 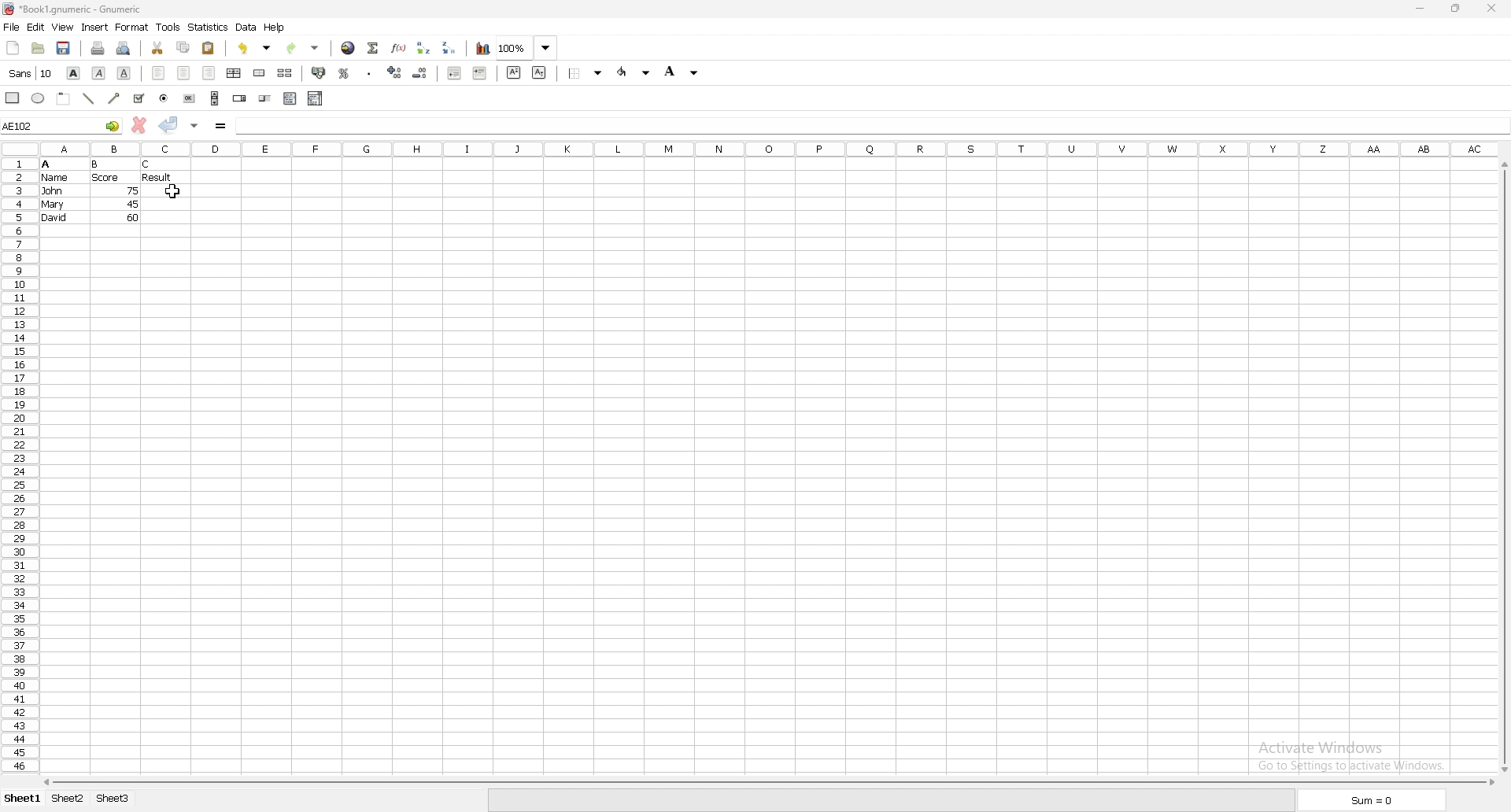 I want to click on sort descending, so click(x=449, y=47).